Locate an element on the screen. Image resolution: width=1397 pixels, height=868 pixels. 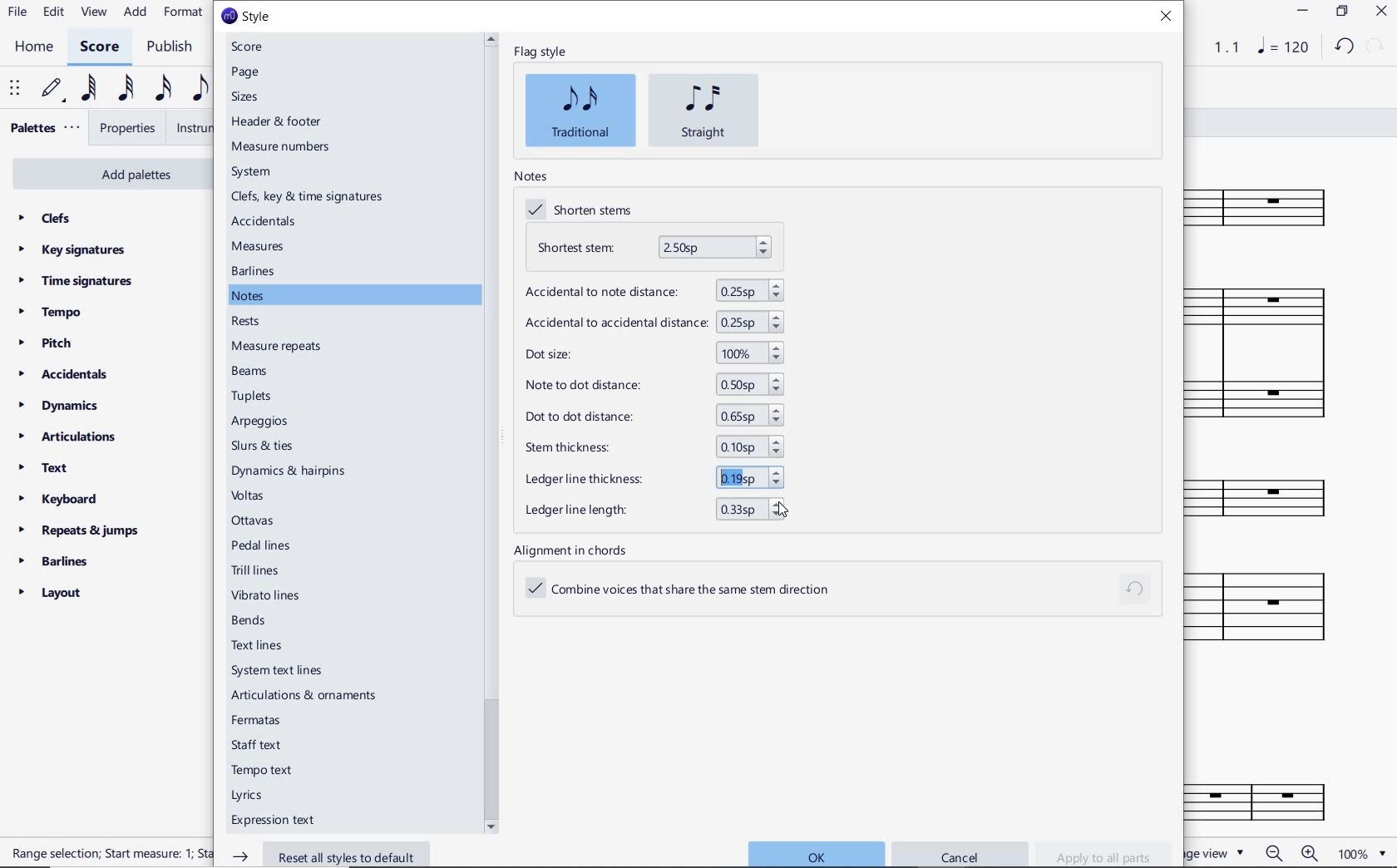
accidental to note distance is located at coordinates (650, 289).